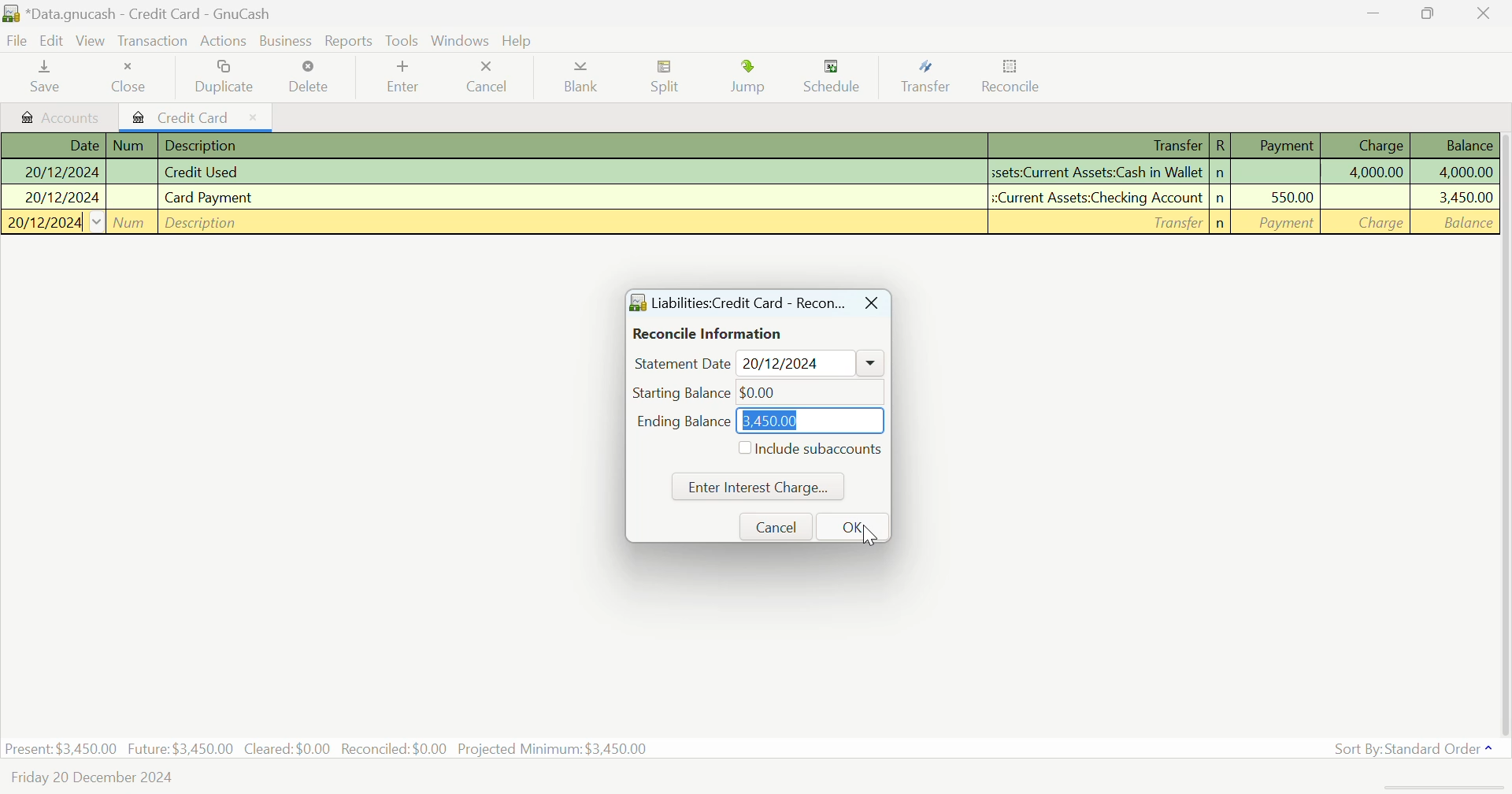 This screenshot has width=1512, height=794. Describe the element at coordinates (150, 42) in the screenshot. I see `Transaction` at that location.